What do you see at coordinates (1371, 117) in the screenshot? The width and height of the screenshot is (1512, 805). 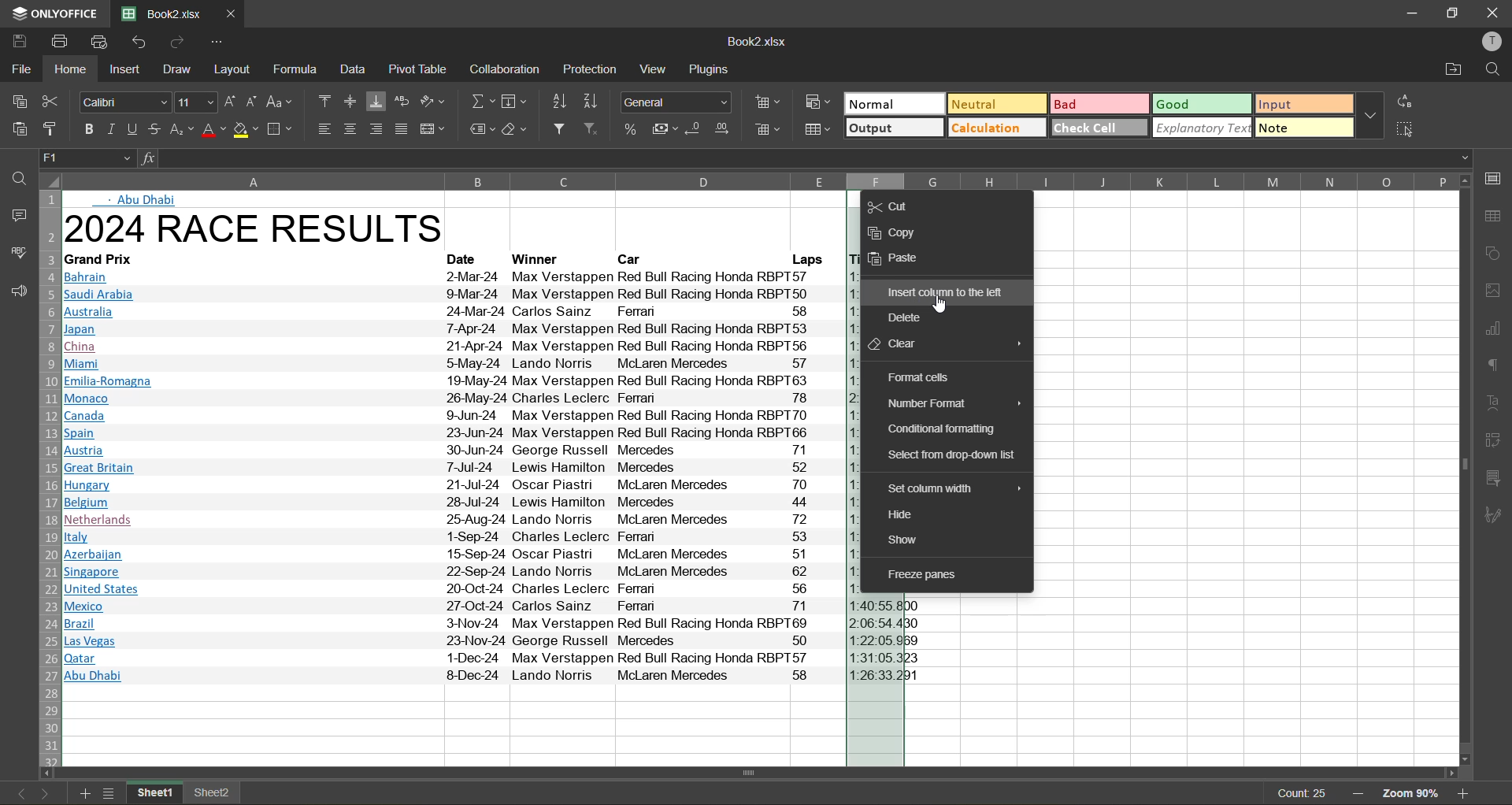 I see `more options` at bounding box center [1371, 117].